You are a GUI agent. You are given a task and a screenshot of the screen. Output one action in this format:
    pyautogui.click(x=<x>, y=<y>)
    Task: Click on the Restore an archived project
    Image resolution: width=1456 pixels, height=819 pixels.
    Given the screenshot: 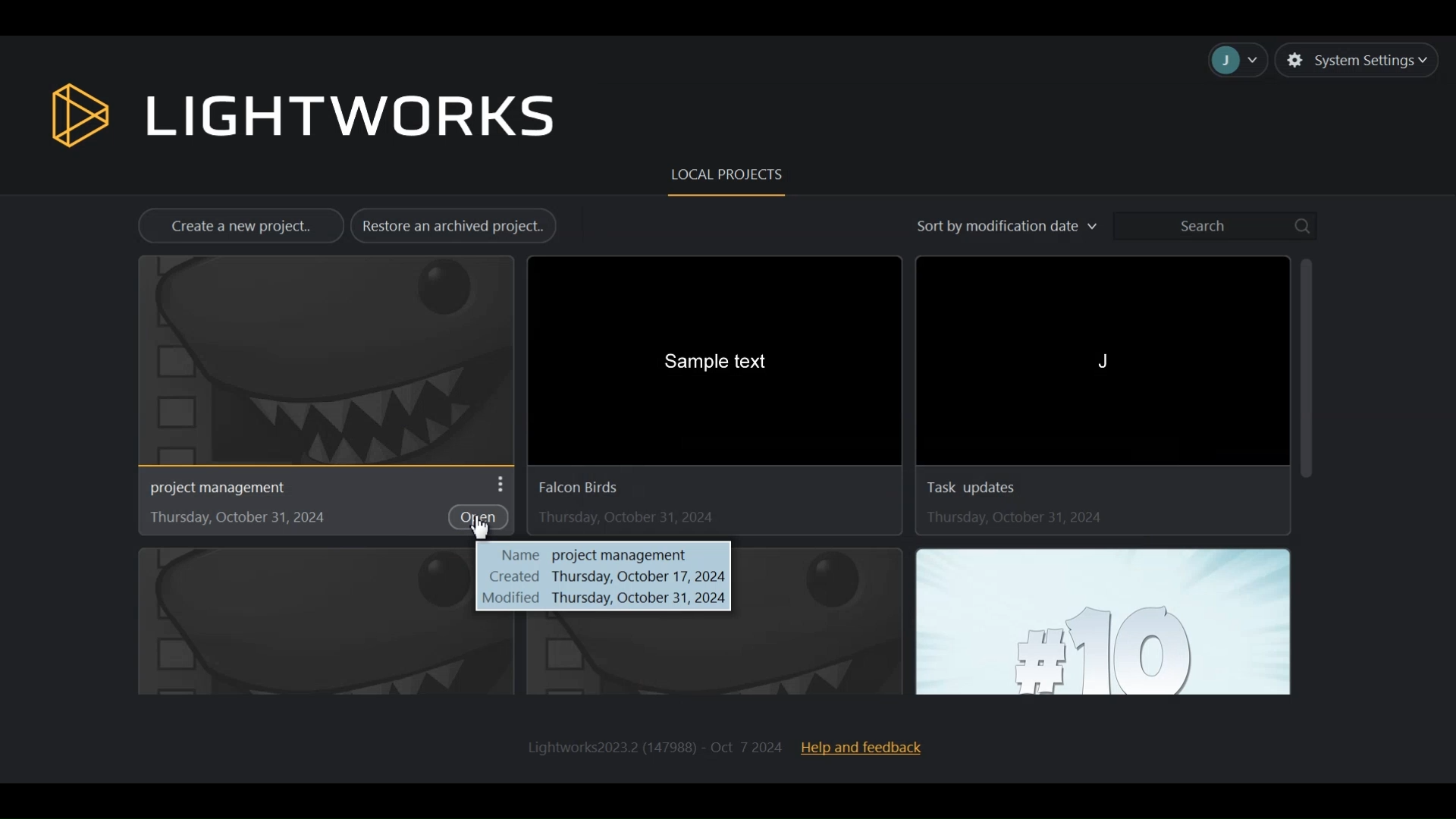 What is the action you would take?
    pyautogui.click(x=454, y=226)
    